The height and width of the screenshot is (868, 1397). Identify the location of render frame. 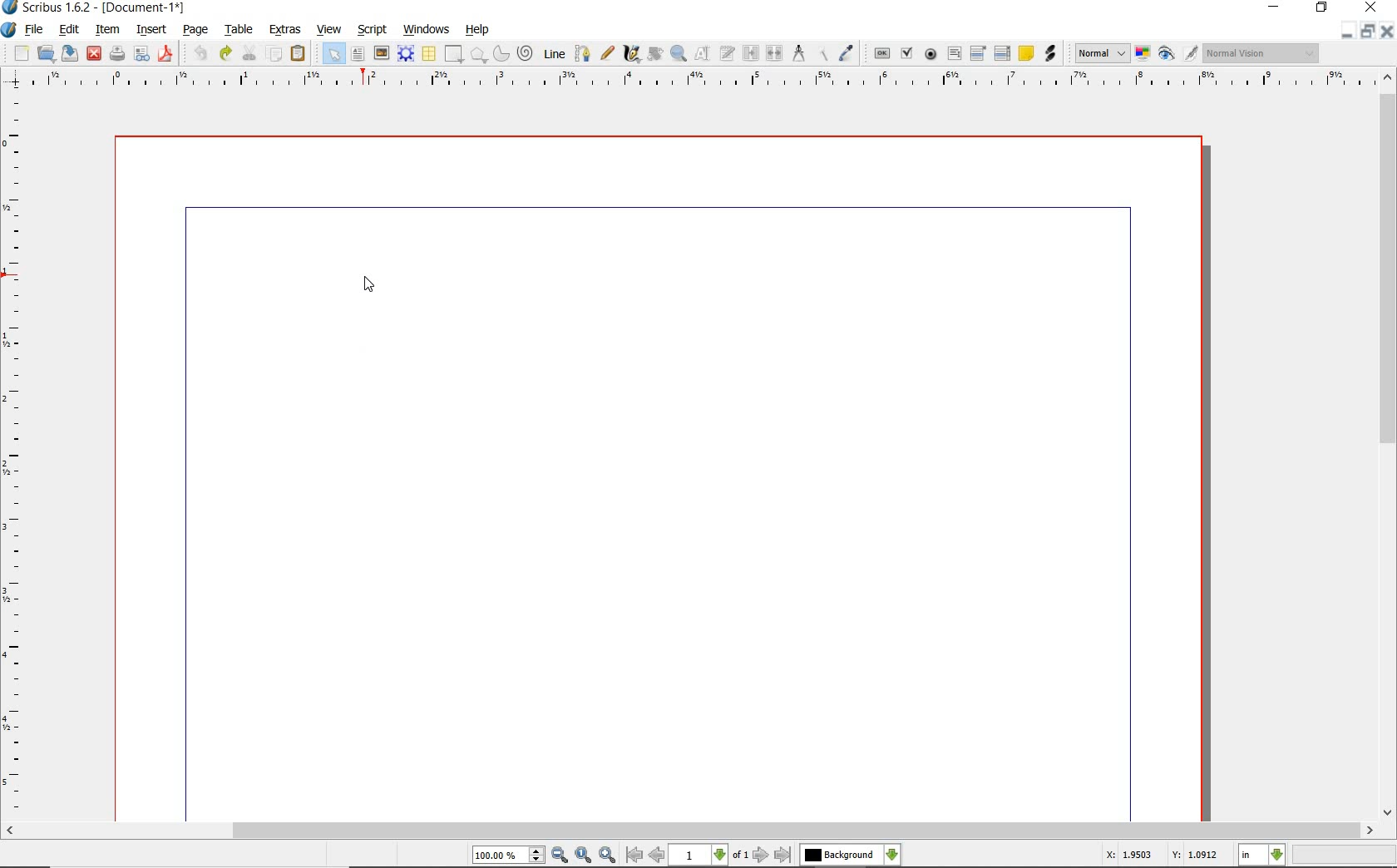
(406, 52).